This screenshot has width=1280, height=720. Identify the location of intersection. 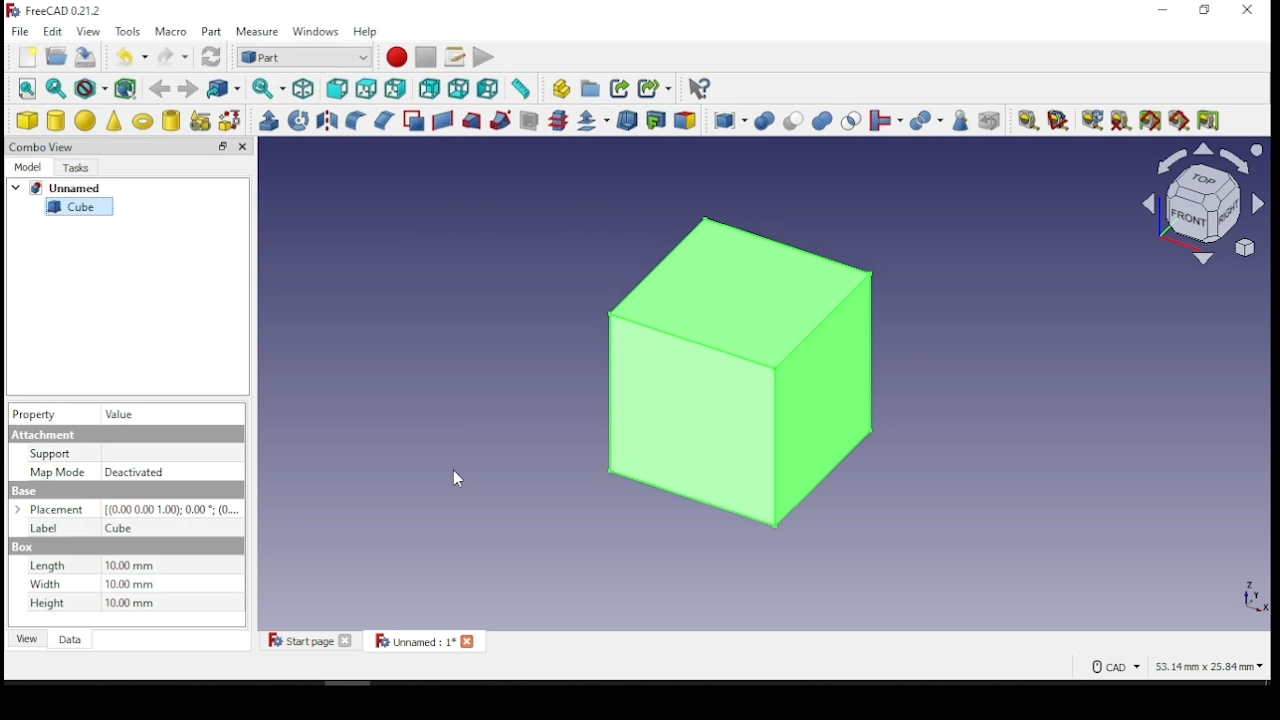
(850, 122).